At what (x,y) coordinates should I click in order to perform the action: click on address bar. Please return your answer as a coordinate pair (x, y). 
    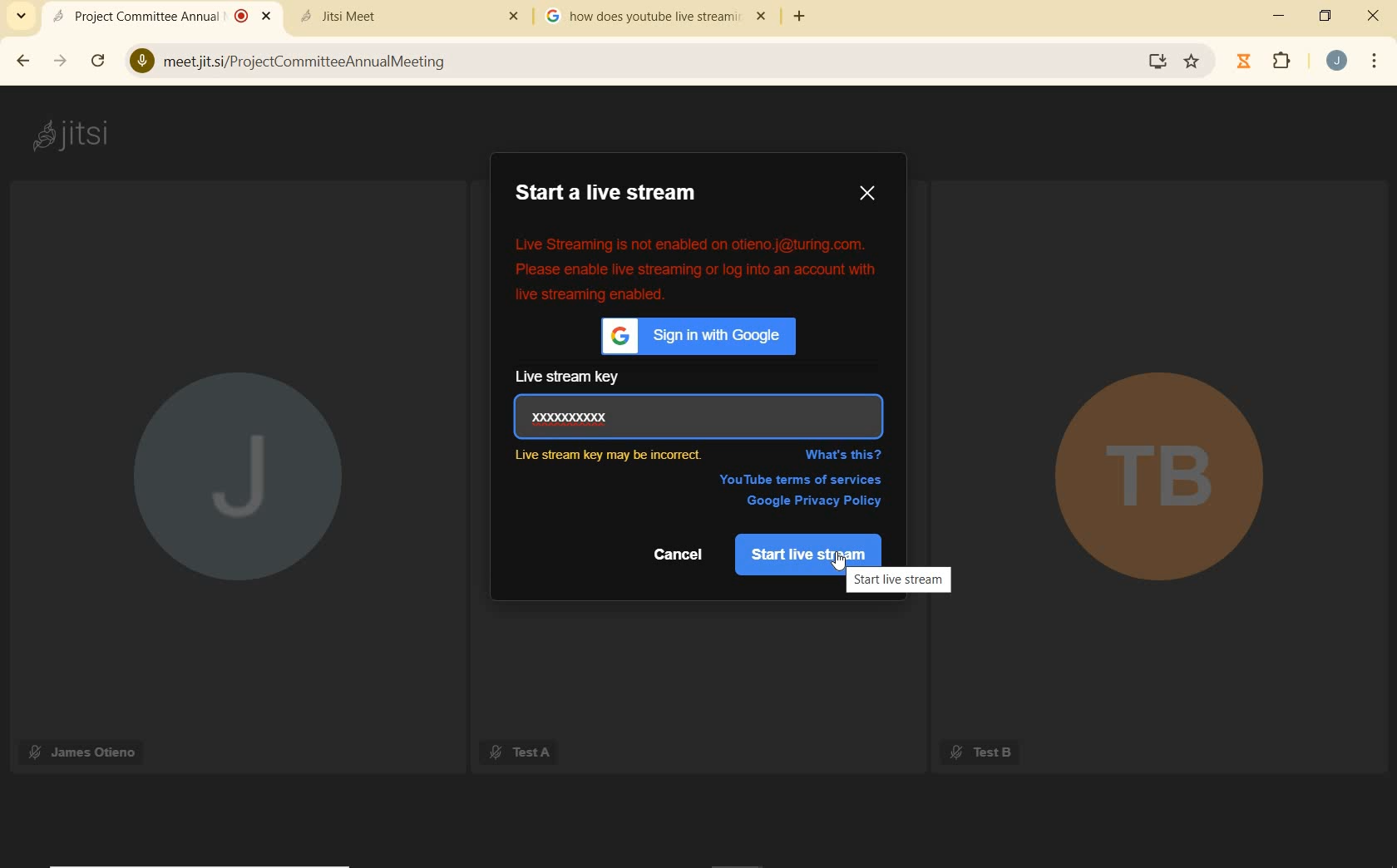
    Looking at the image, I should click on (649, 60).